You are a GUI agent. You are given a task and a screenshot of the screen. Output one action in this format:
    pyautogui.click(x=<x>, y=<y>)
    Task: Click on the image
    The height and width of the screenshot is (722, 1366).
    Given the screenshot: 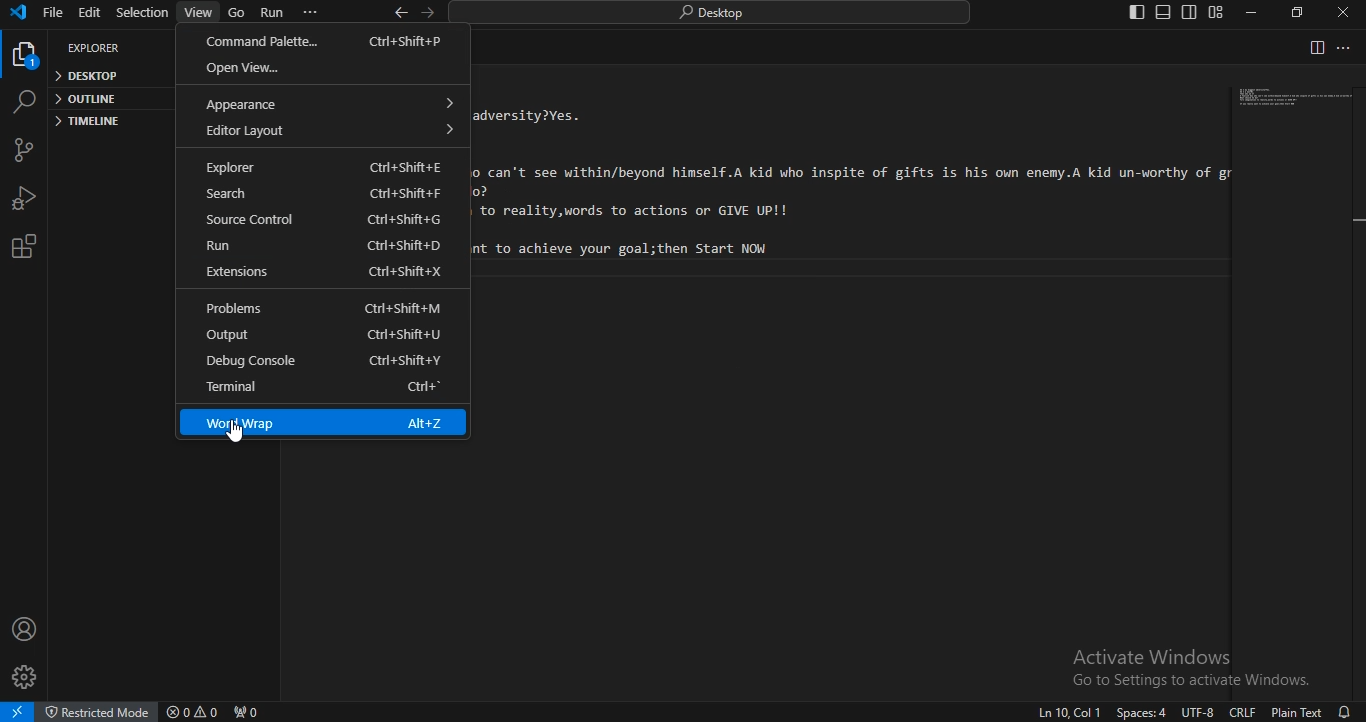 What is the action you would take?
    pyautogui.click(x=1293, y=100)
    